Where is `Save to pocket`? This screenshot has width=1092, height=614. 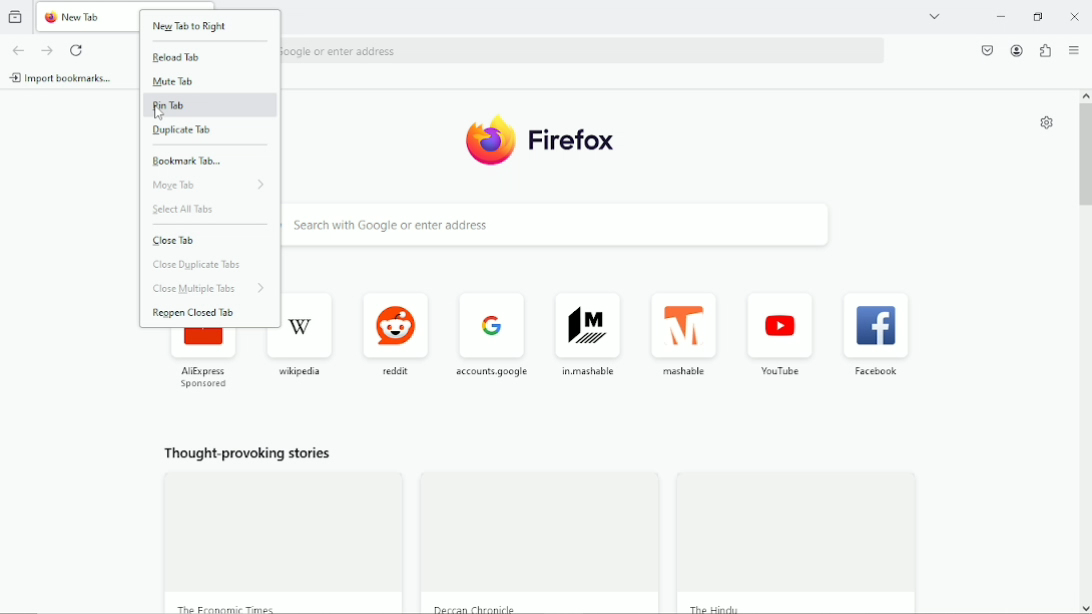 Save to pocket is located at coordinates (988, 50).